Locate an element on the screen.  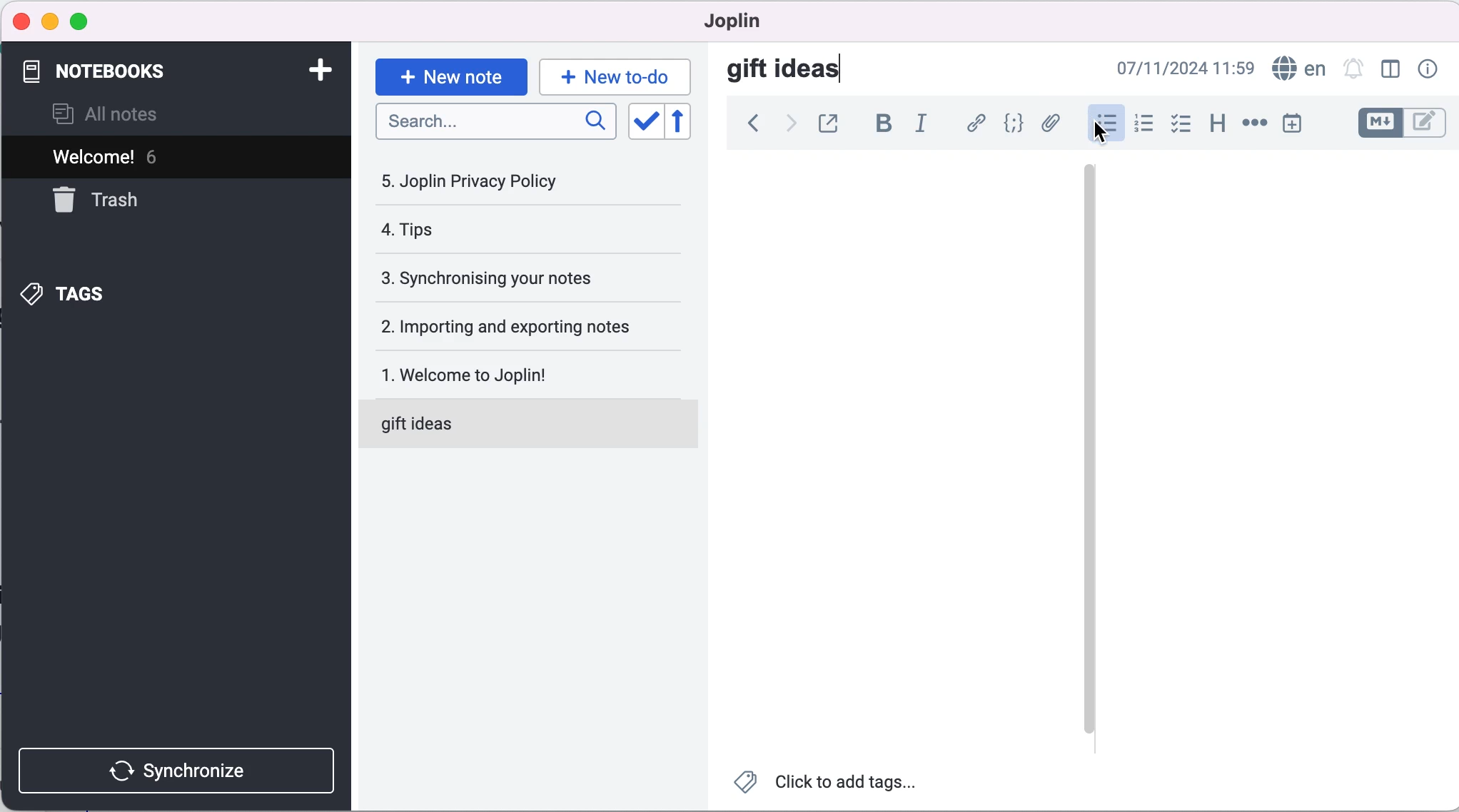
welcome to joplin! is located at coordinates (519, 374).